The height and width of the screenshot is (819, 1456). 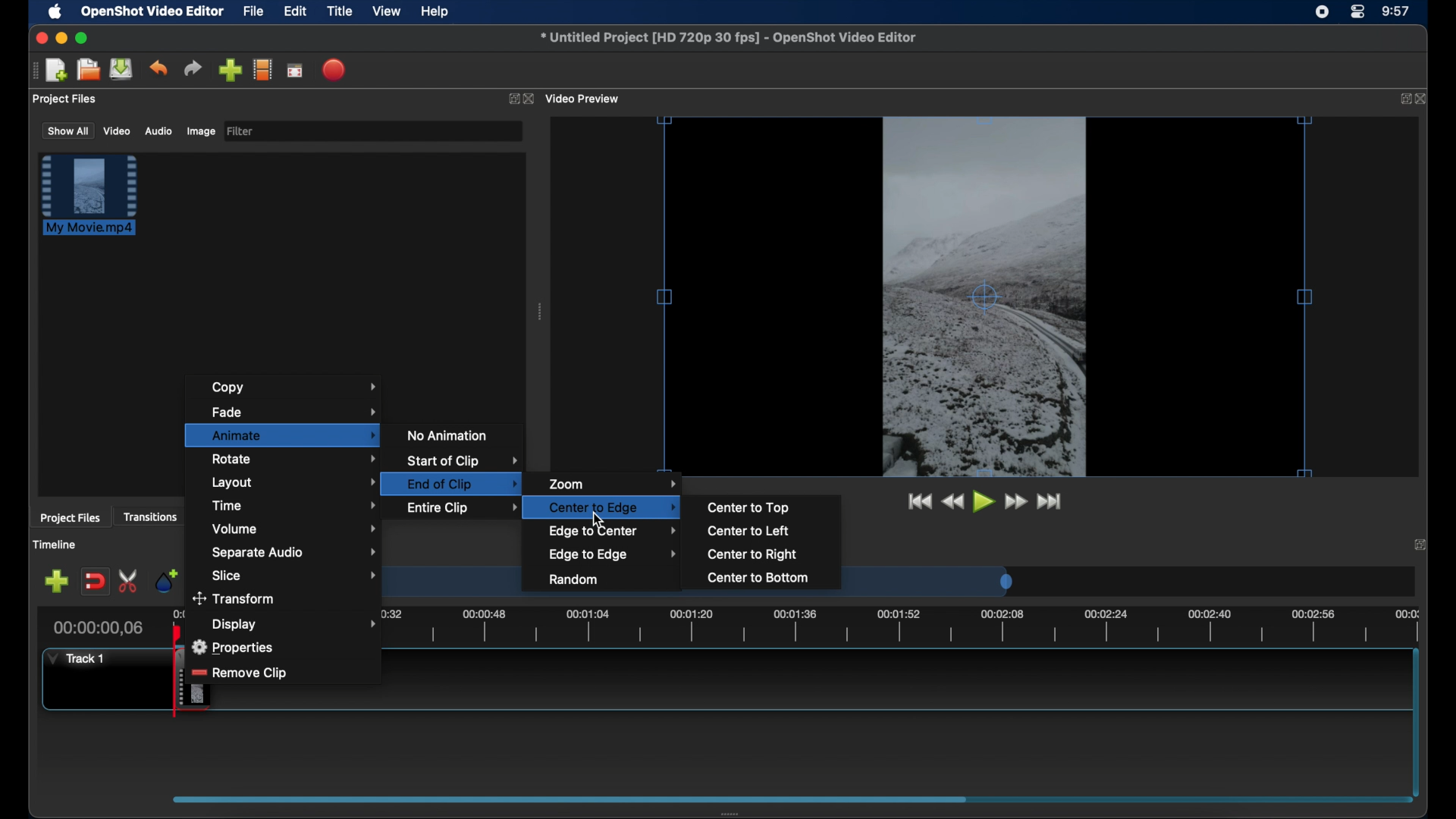 I want to click on display menu, so click(x=293, y=624).